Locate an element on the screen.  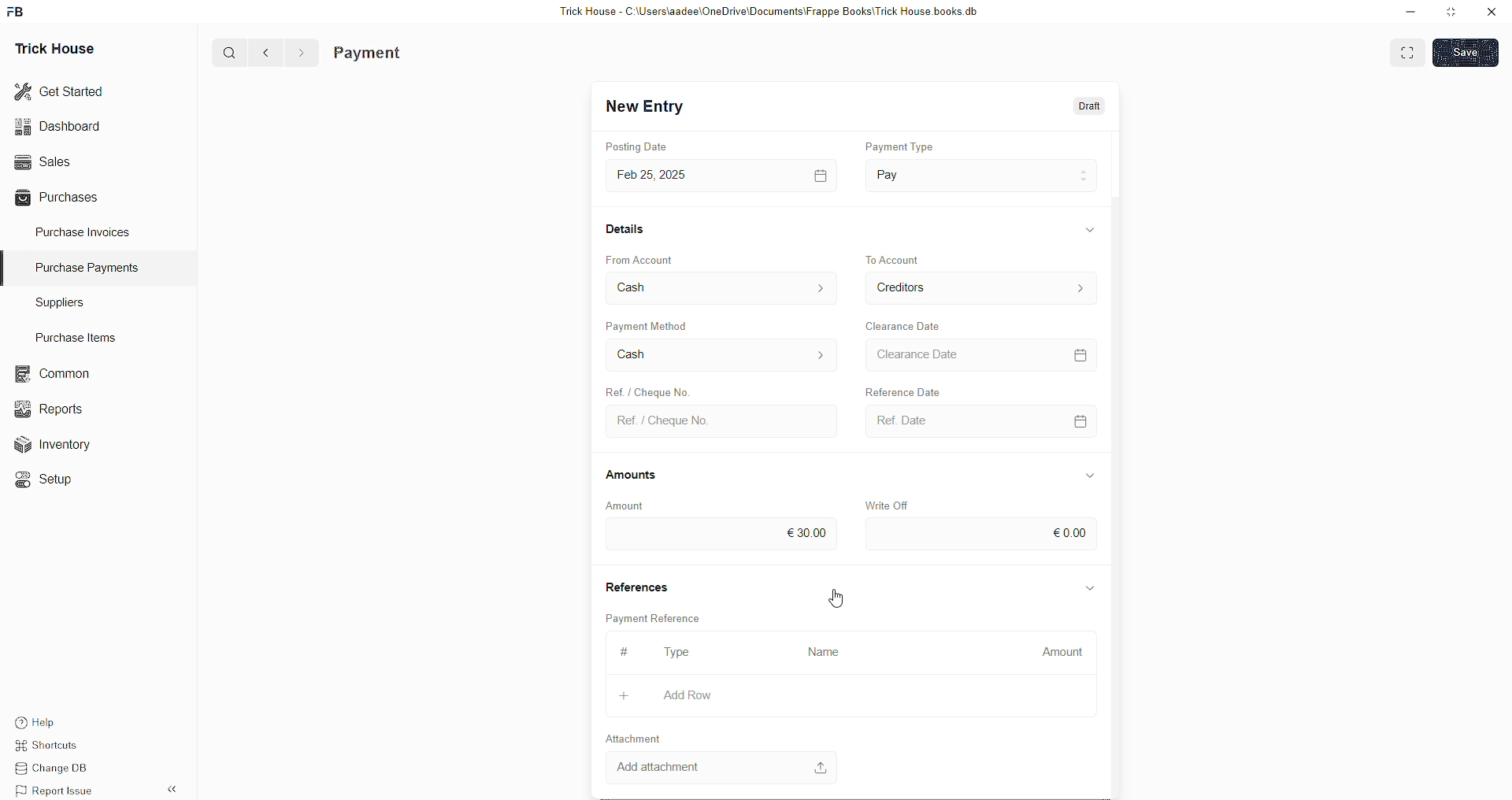
 Help is located at coordinates (59, 720).